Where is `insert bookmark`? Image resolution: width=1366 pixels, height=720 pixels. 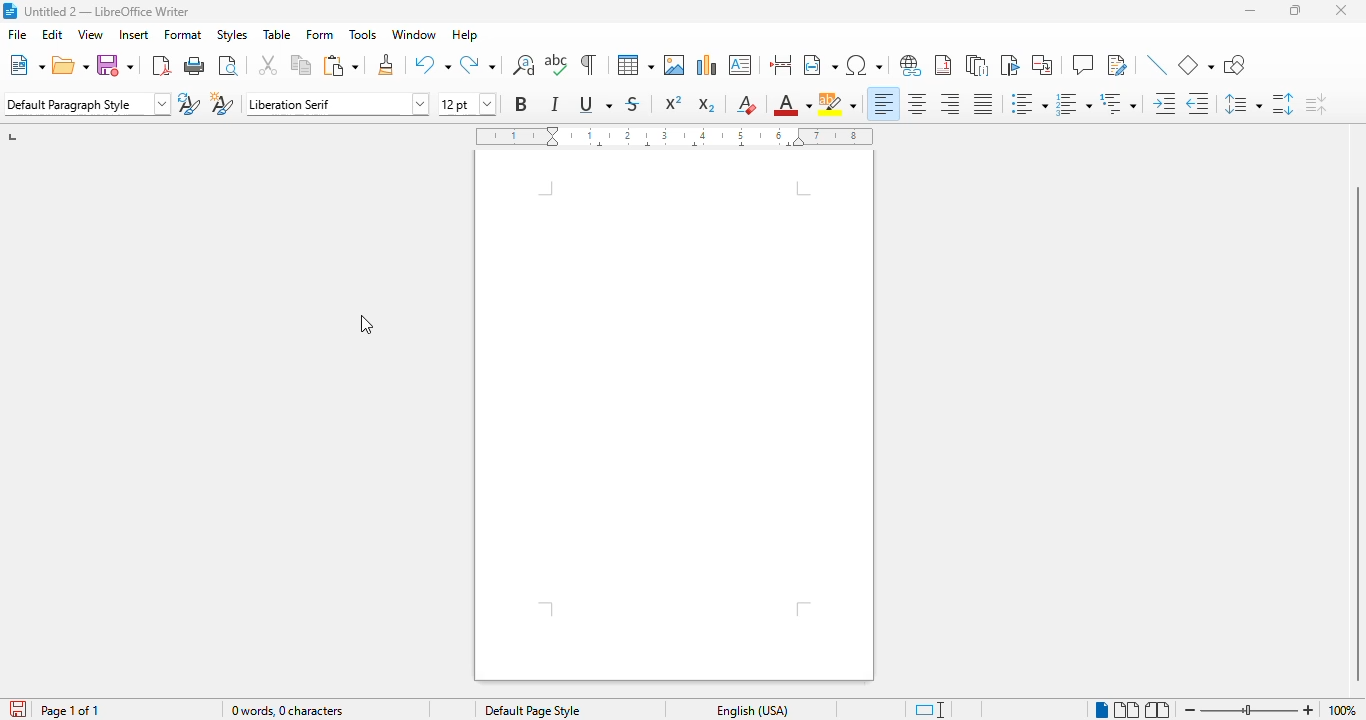
insert bookmark is located at coordinates (1009, 65).